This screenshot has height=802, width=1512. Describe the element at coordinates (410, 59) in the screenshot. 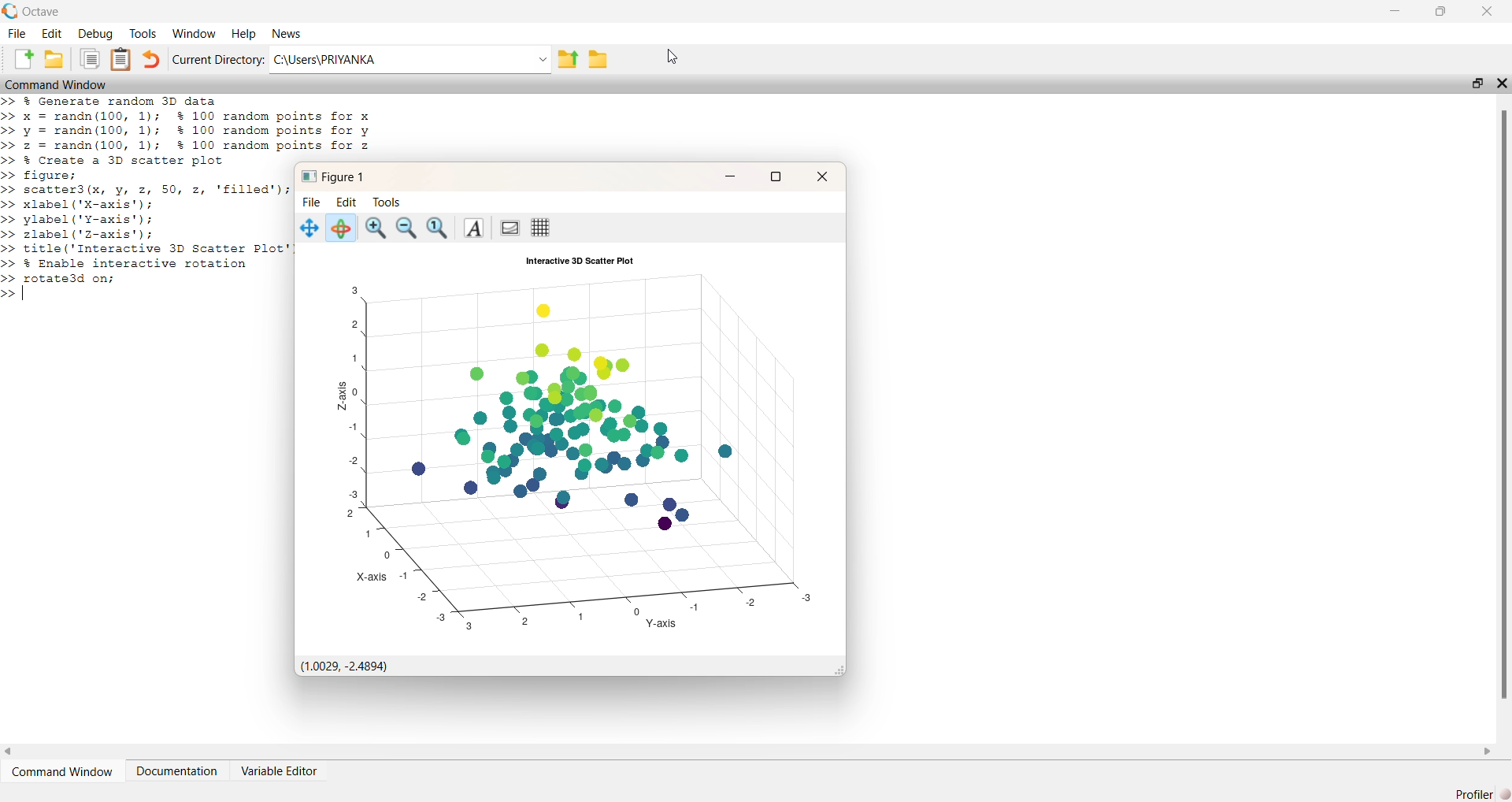

I see `C:\Users\PRIYANKA` at that location.